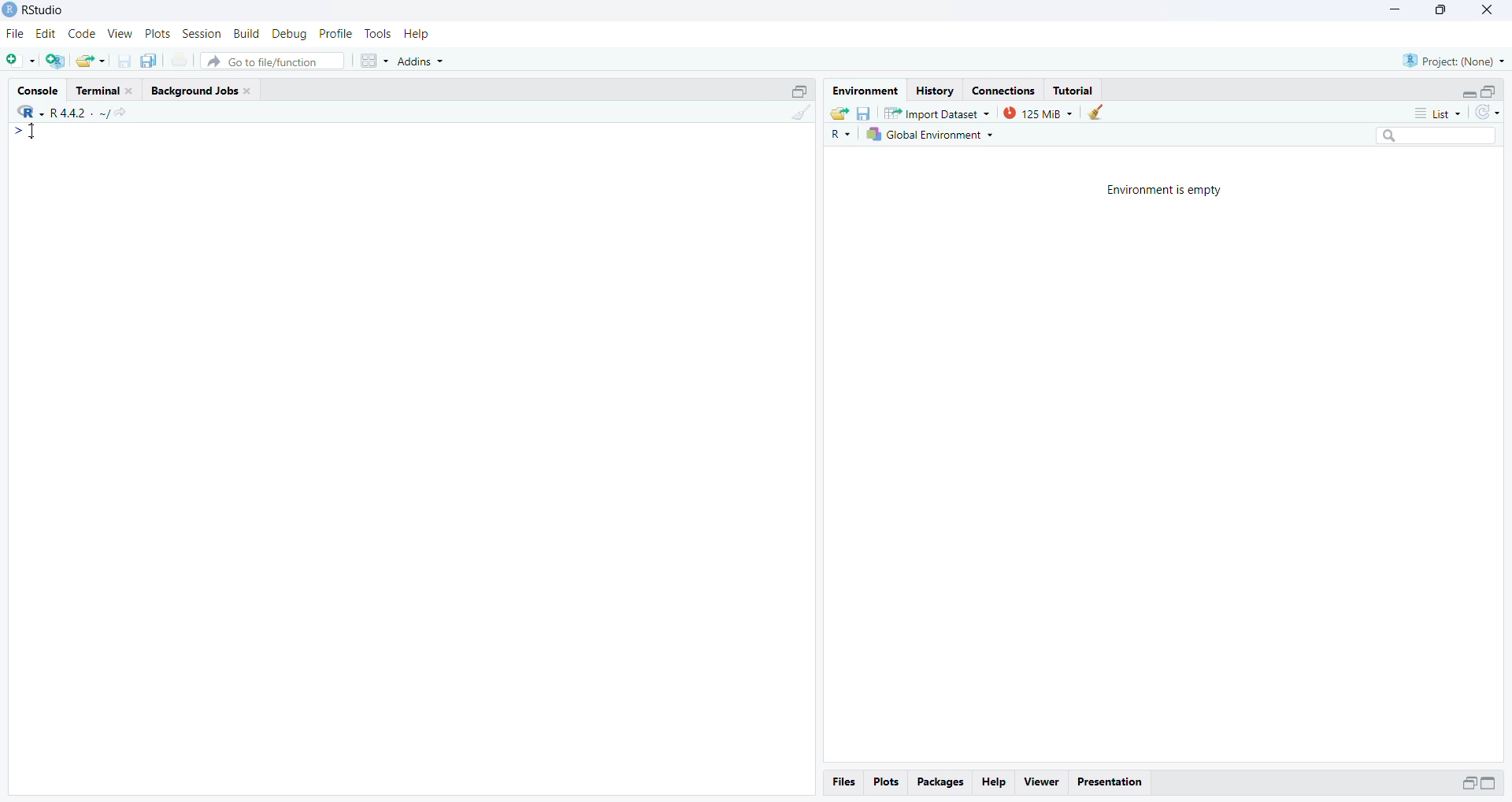 This screenshot has height=802, width=1512. Describe the element at coordinates (29, 133) in the screenshot. I see `cursor` at that location.